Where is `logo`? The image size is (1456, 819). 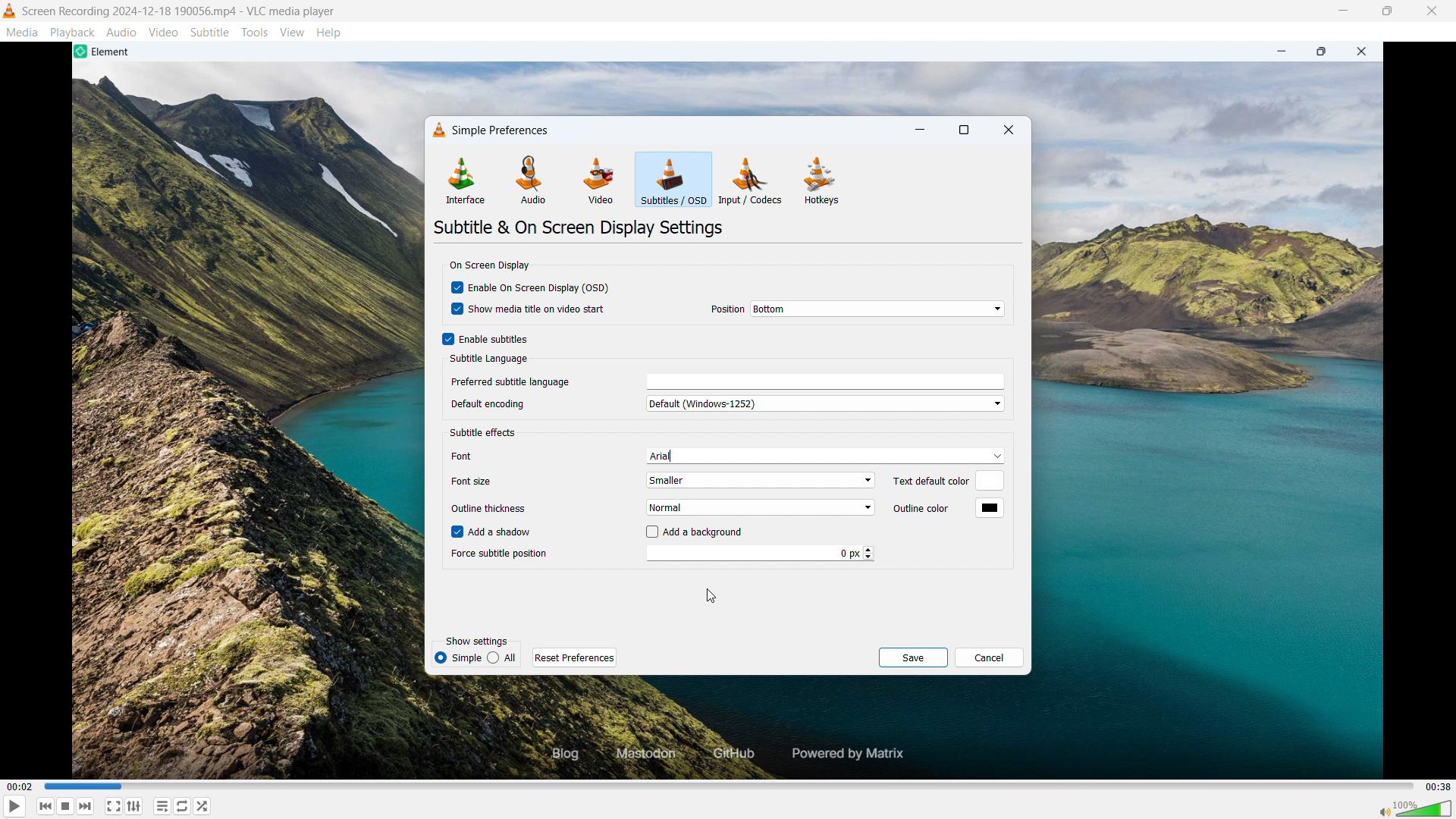
logo is located at coordinates (10, 11).